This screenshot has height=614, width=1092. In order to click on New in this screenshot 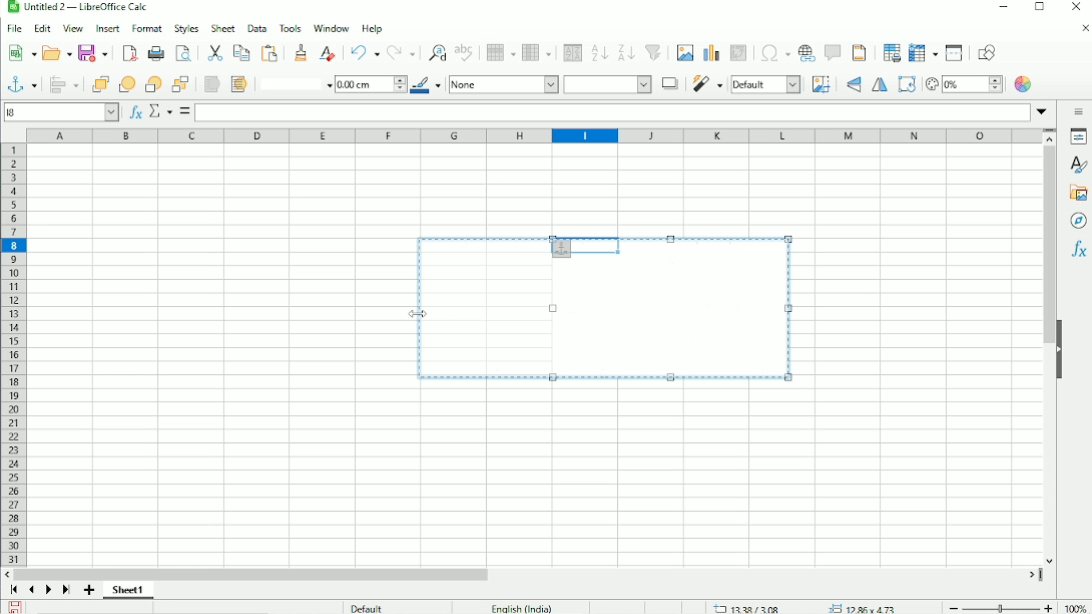, I will do `click(22, 53)`.